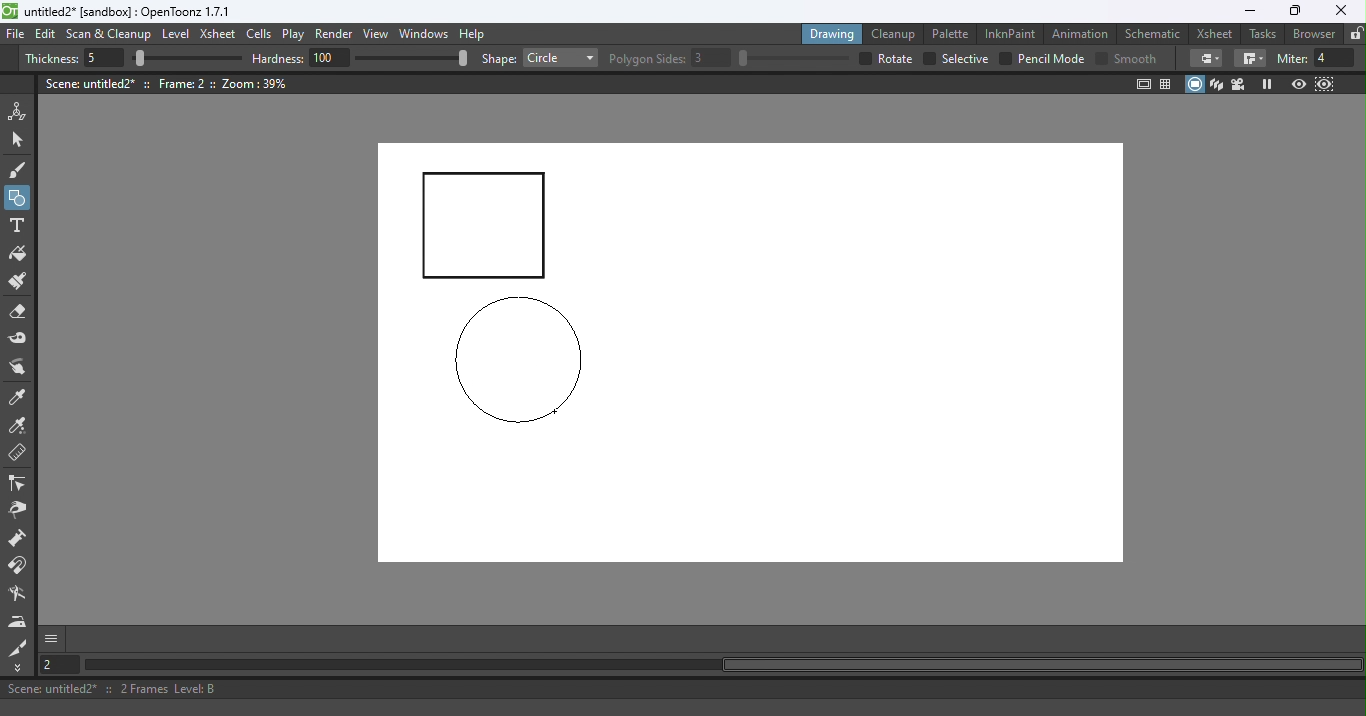 The width and height of the screenshot is (1366, 716). Describe the element at coordinates (18, 485) in the screenshot. I see `Control point editor tool` at that location.